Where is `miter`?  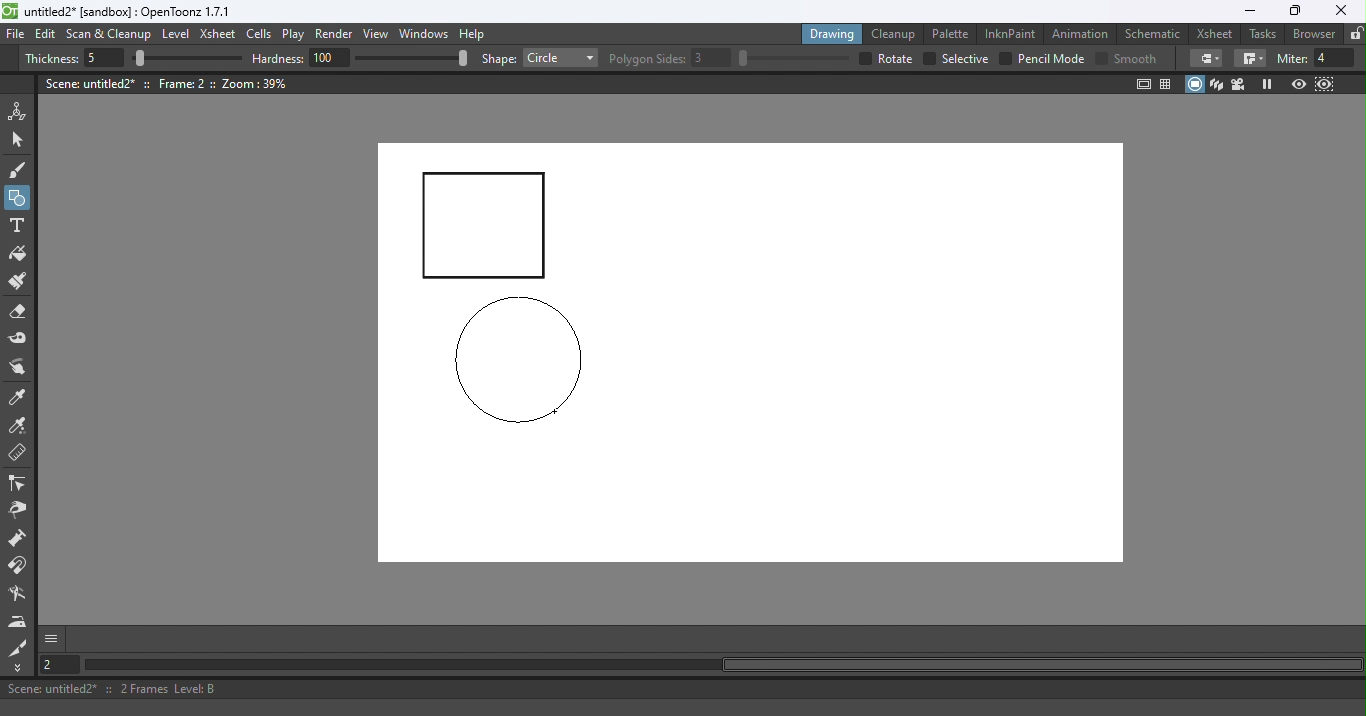 miter is located at coordinates (1291, 58).